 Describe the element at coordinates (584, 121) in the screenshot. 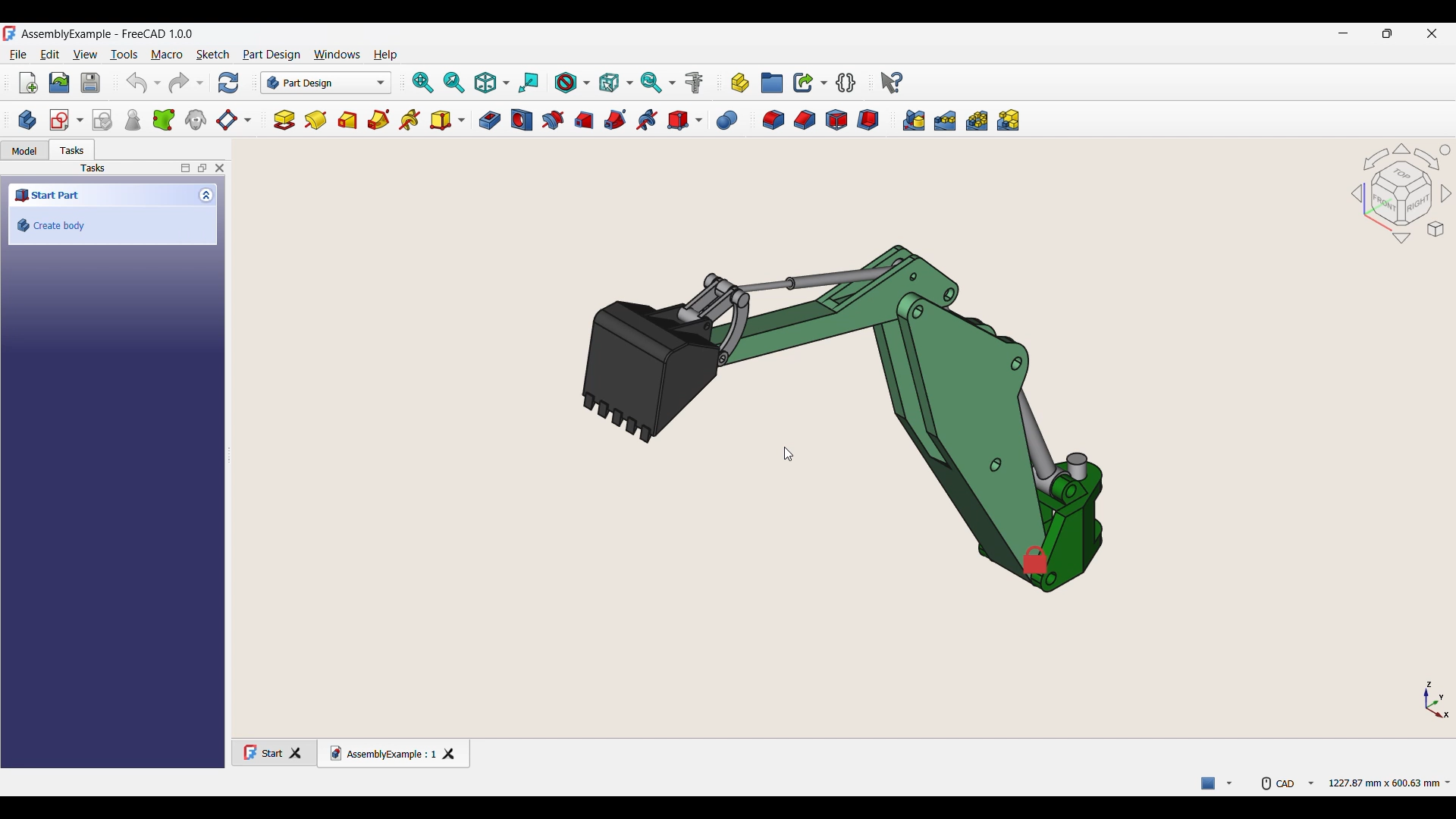

I see `Subtractive loft` at that location.